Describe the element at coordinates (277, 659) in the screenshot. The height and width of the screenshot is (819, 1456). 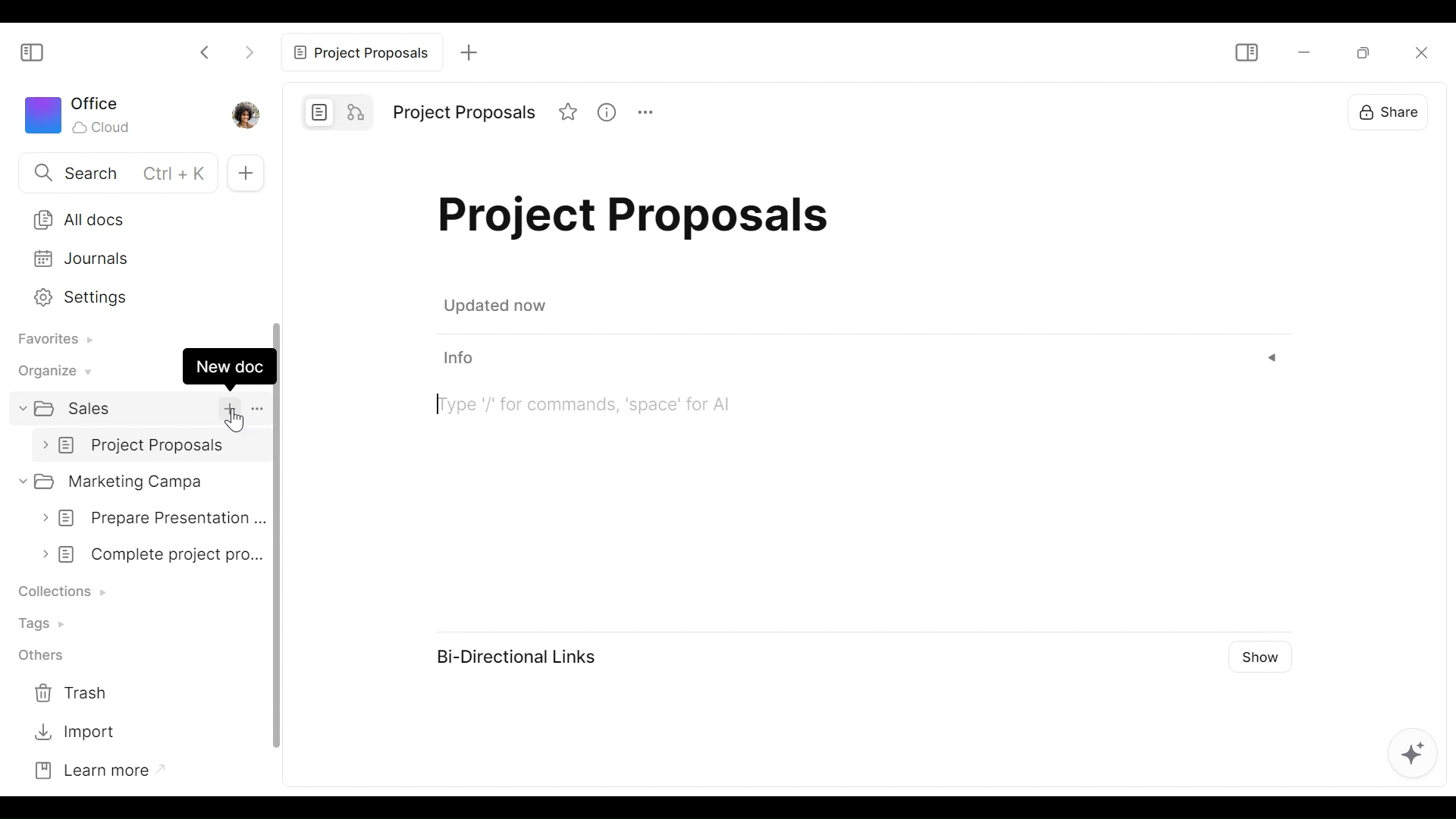
I see `vertical scroll bar` at that location.